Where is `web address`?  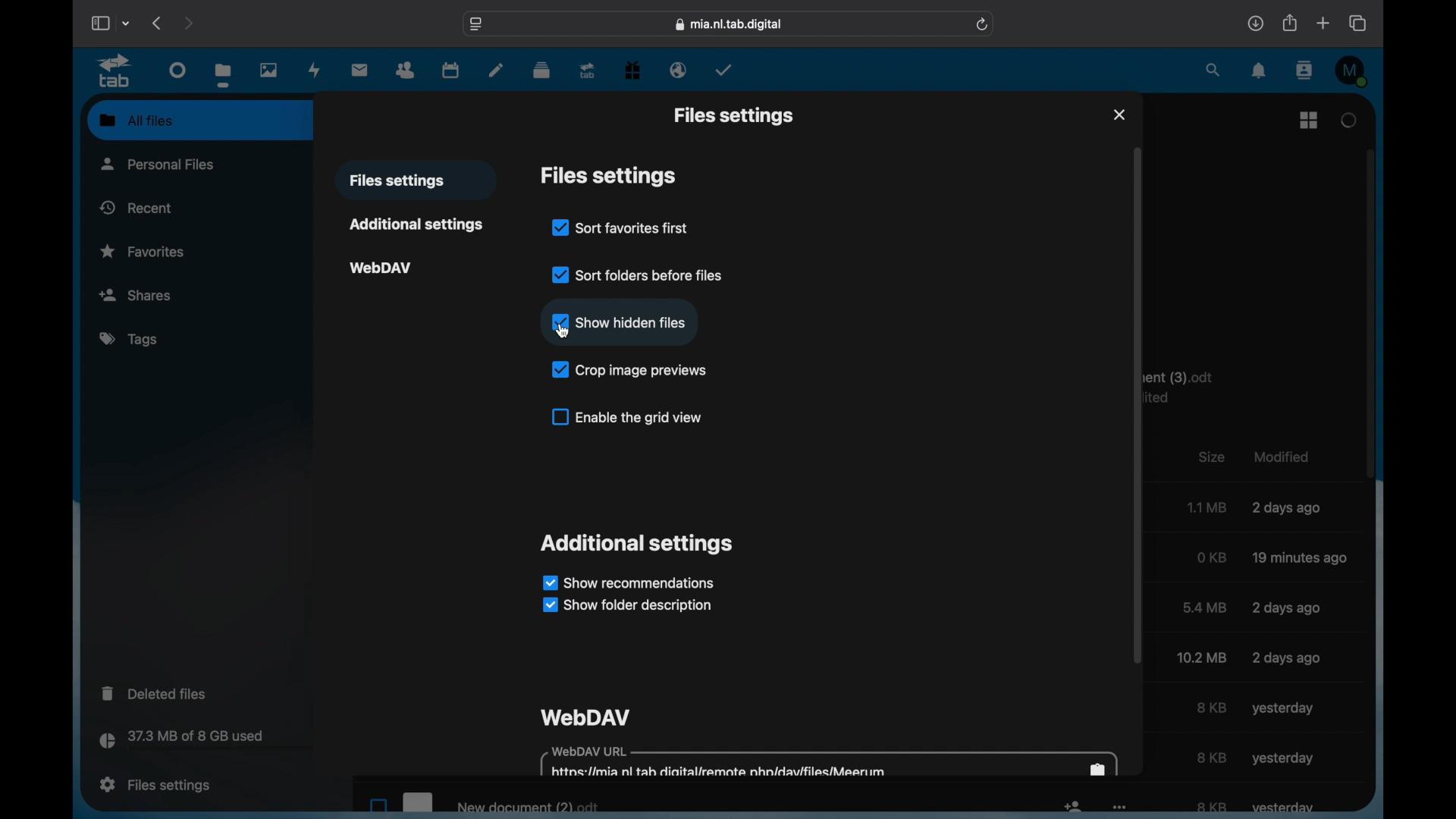 web address is located at coordinates (729, 24).